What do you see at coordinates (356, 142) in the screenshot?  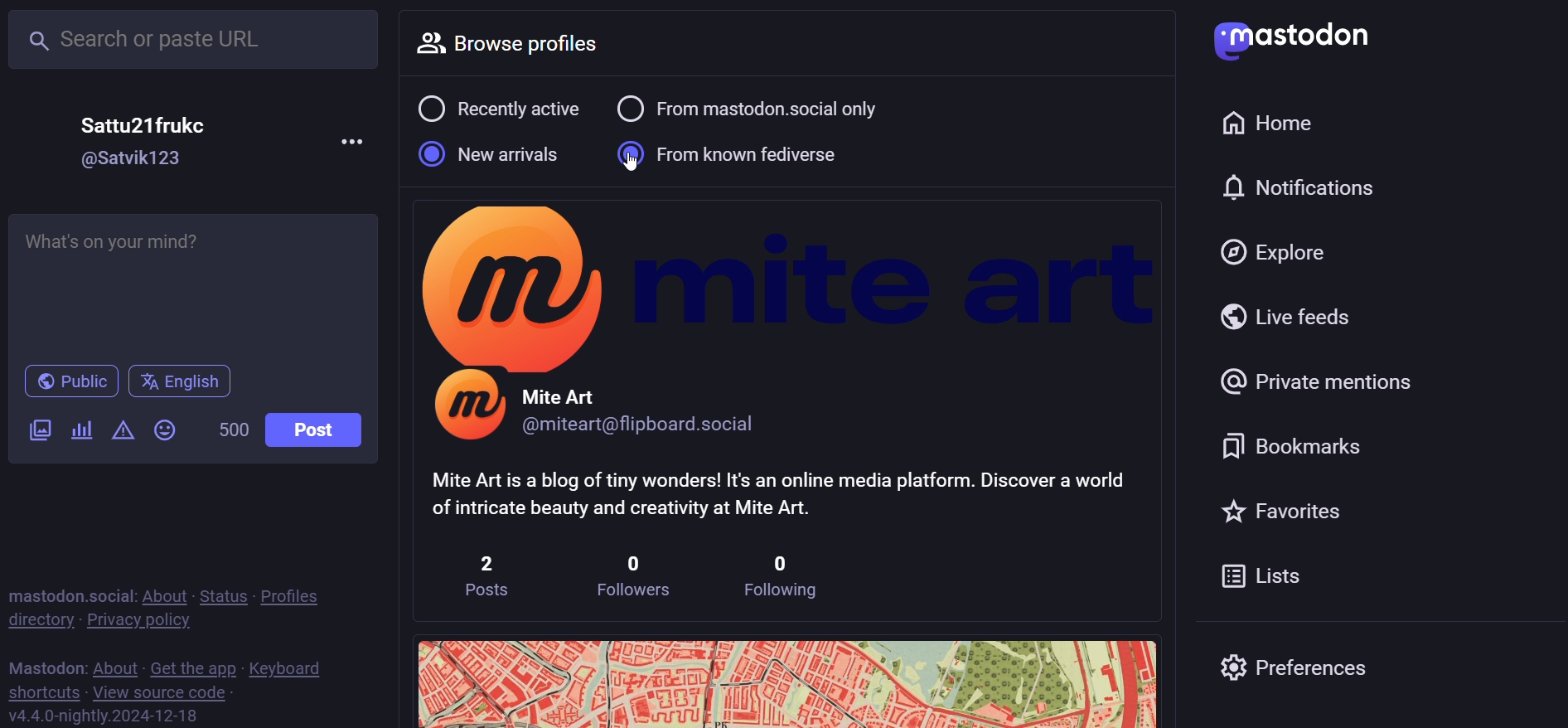 I see `more` at bounding box center [356, 142].